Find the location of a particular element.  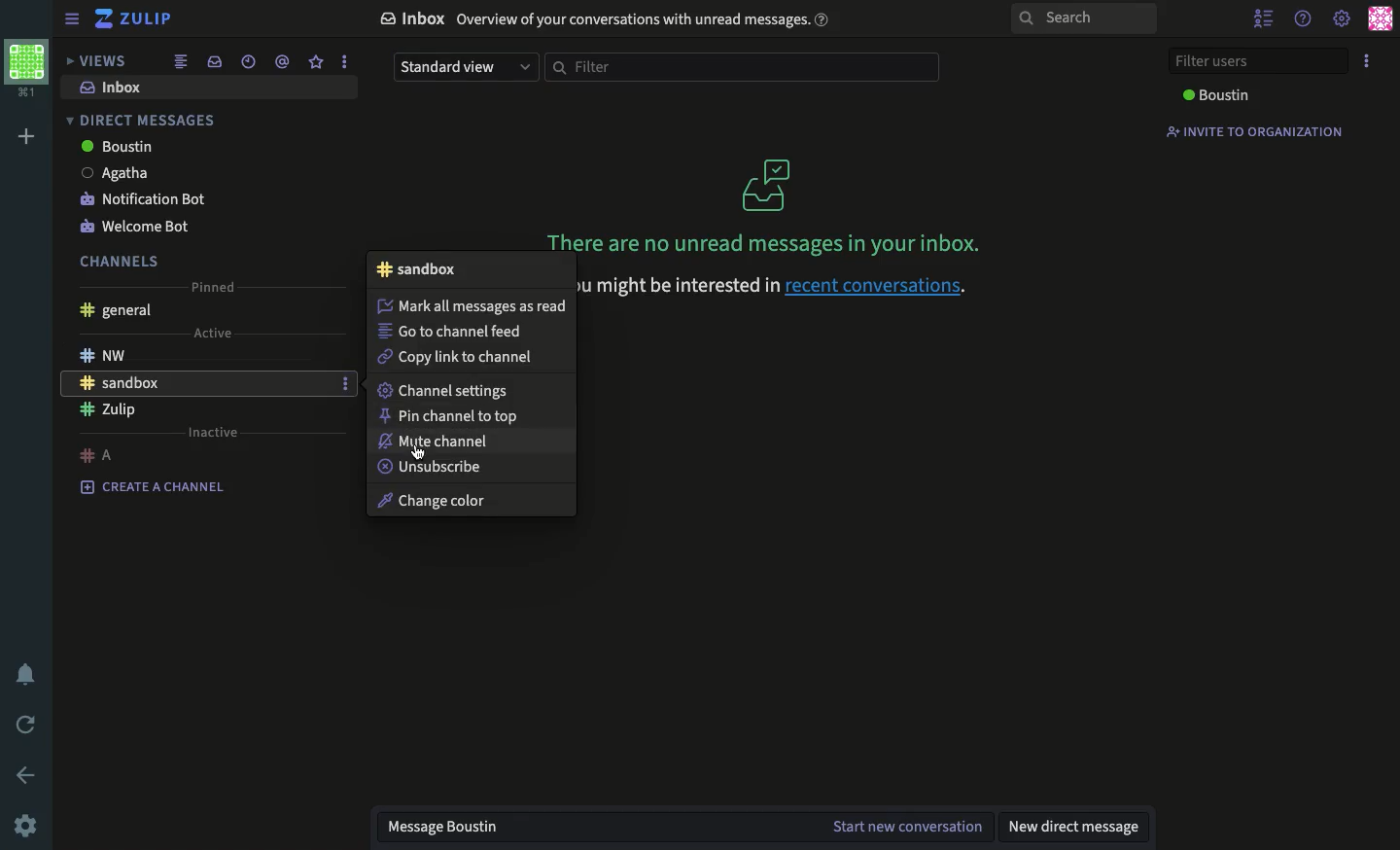

Zulip is located at coordinates (133, 18).